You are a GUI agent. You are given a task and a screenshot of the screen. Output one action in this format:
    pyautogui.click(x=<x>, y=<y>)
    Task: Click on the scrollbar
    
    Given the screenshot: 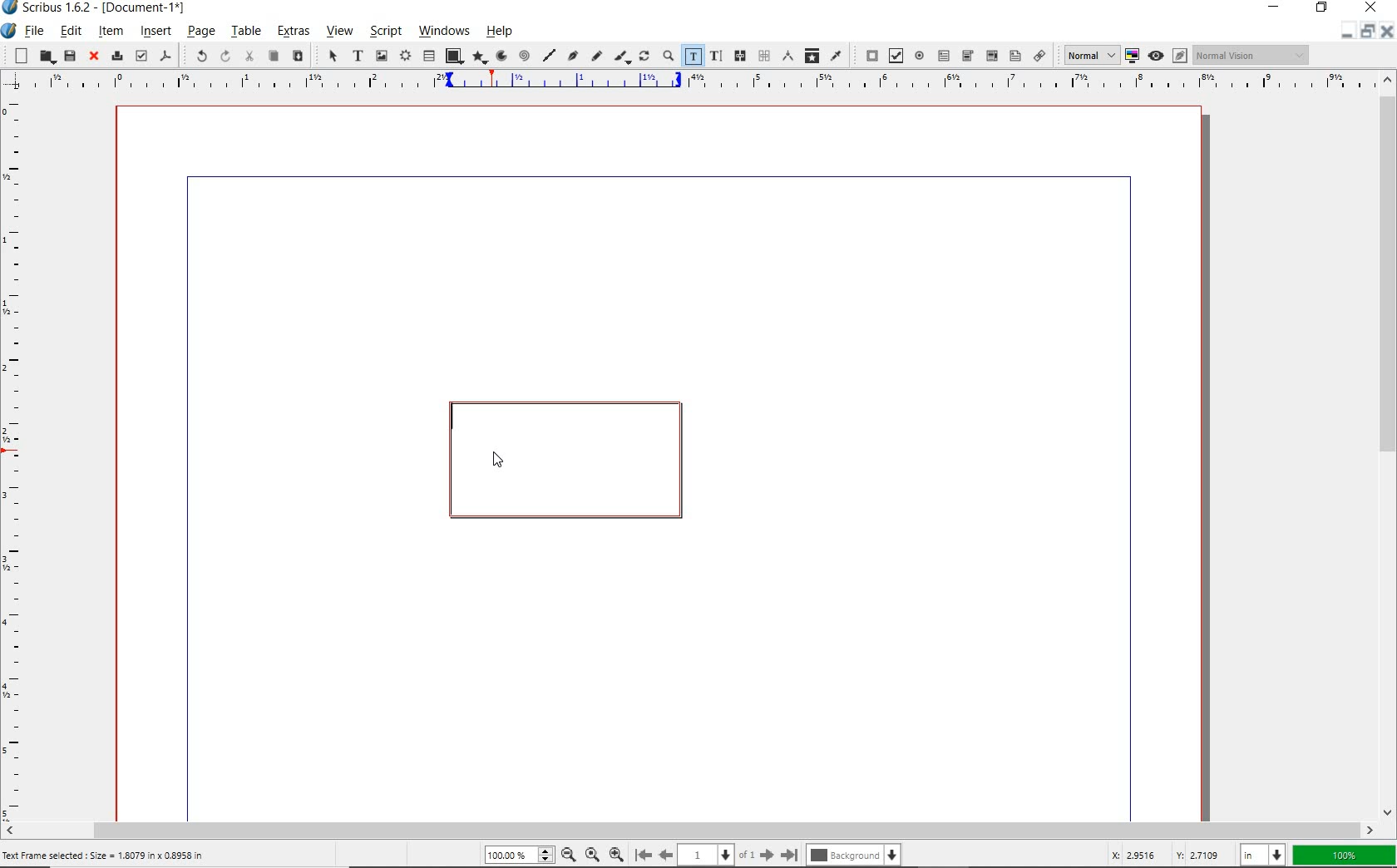 What is the action you would take?
    pyautogui.click(x=1389, y=445)
    